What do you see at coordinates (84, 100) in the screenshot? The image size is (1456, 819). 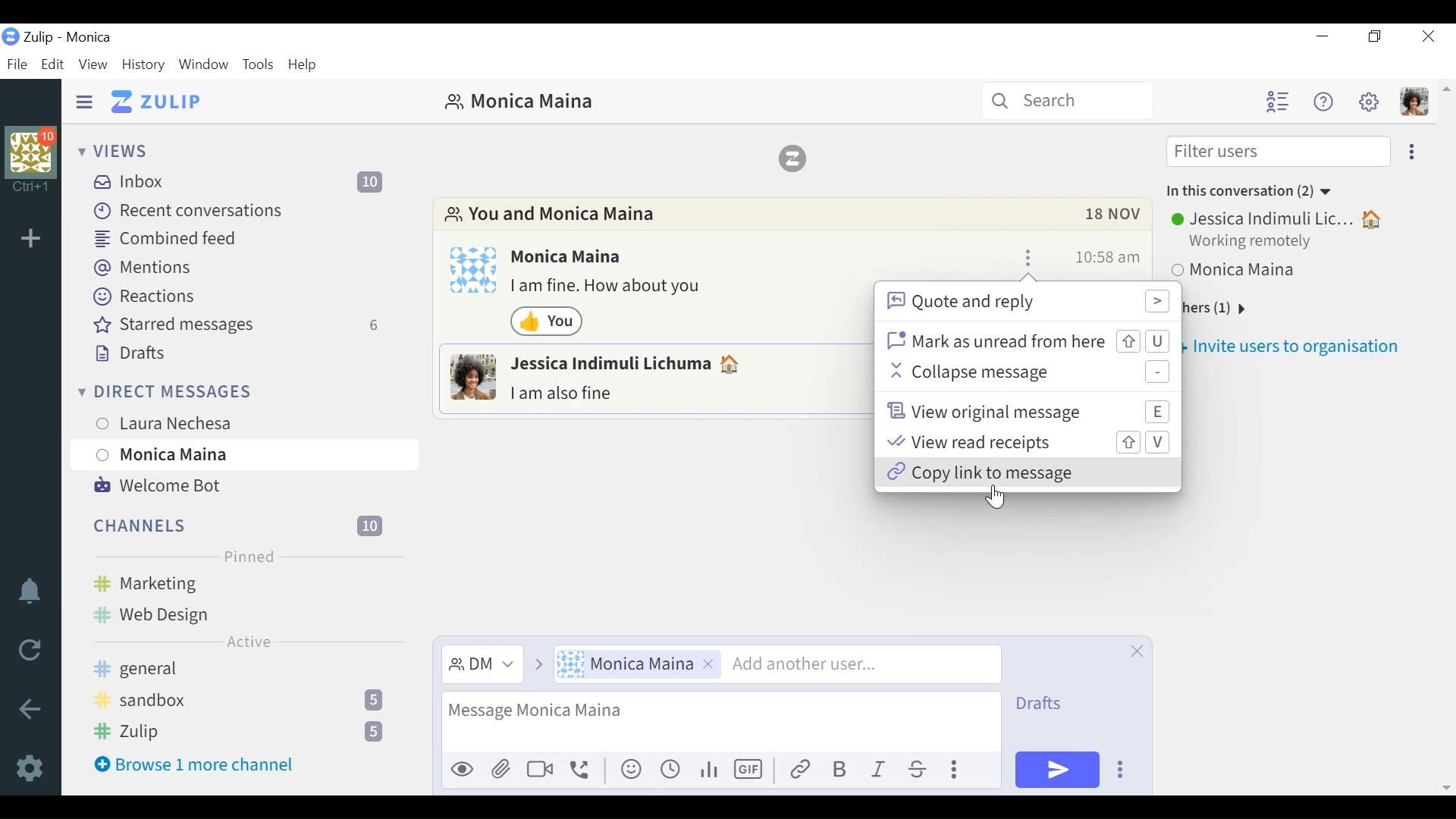 I see `Hide Sidebar` at bounding box center [84, 100].